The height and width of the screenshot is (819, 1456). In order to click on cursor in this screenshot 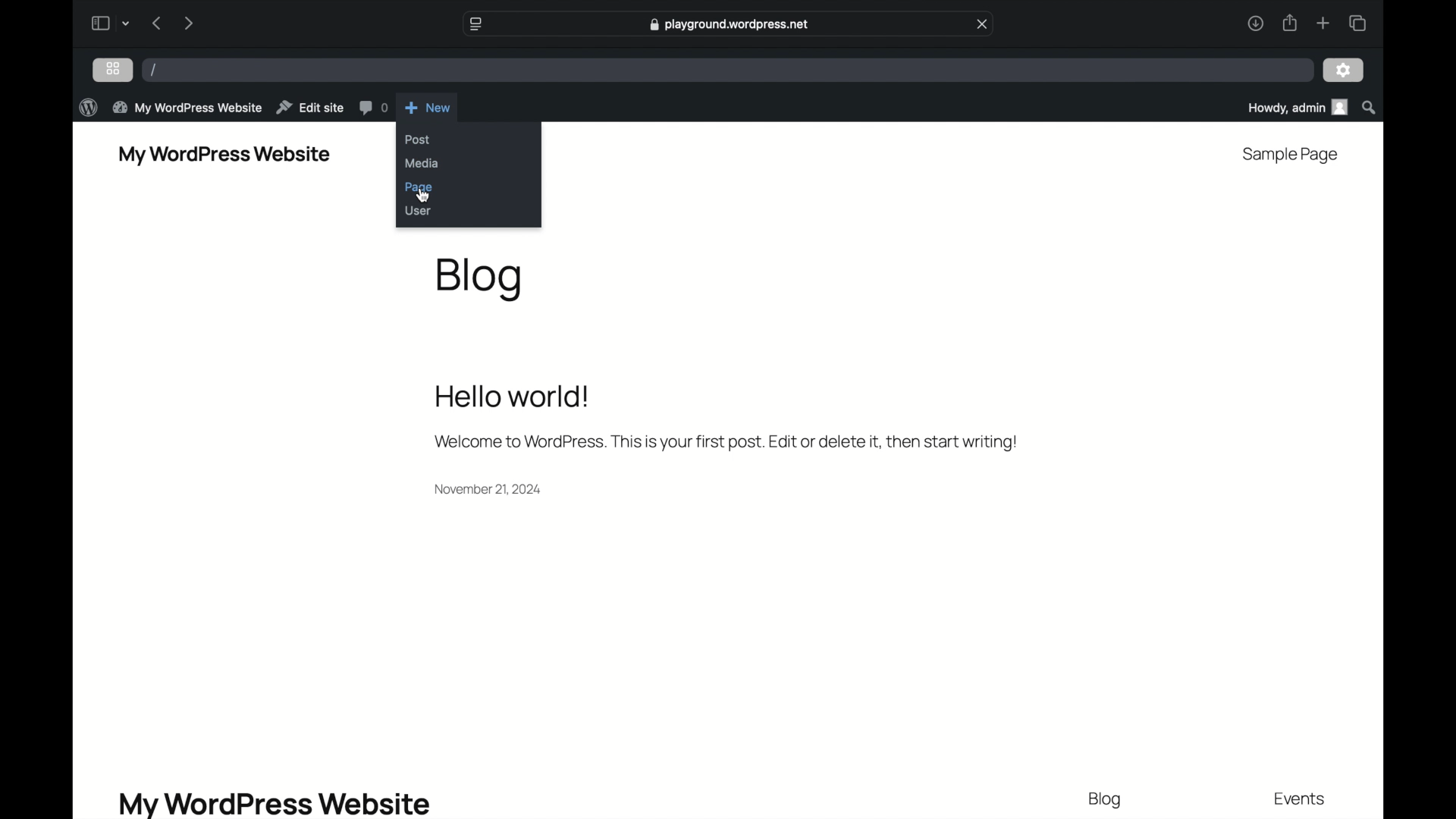, I will do `click(423, 195)`.